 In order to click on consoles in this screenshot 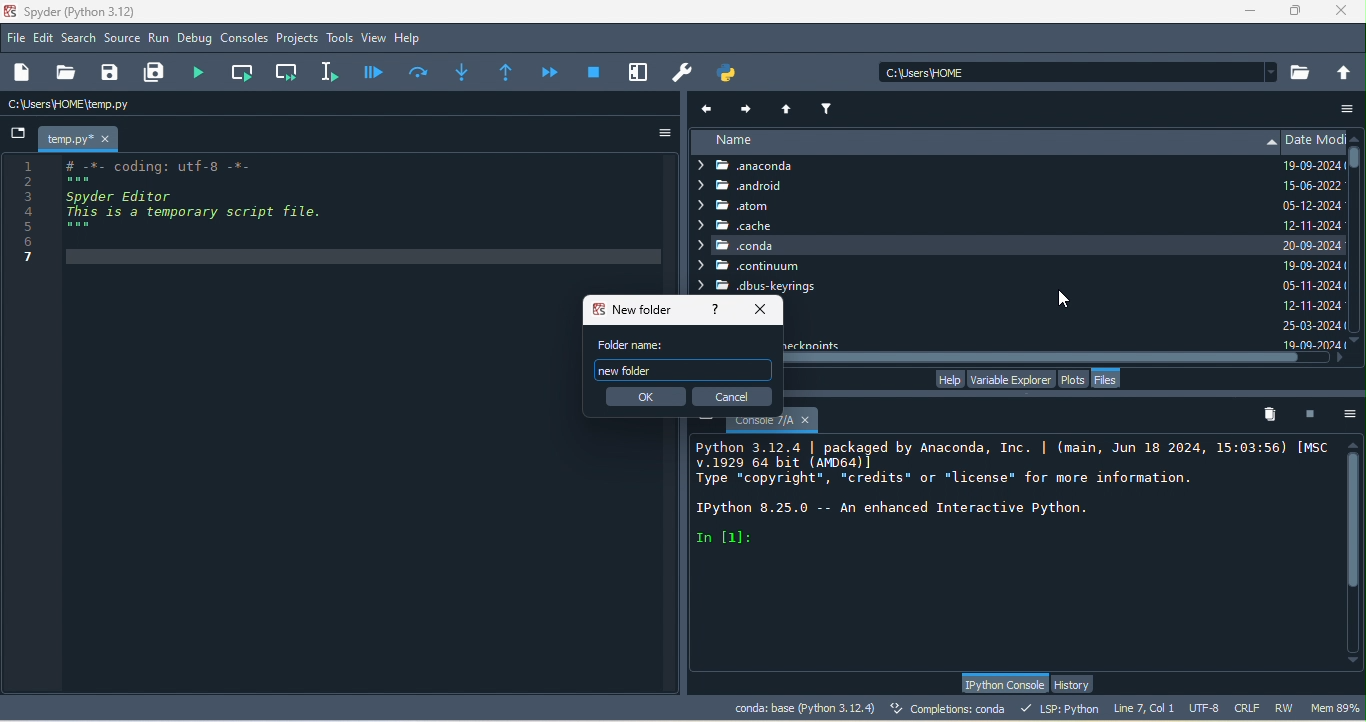, I will do `click(245, 39)`.